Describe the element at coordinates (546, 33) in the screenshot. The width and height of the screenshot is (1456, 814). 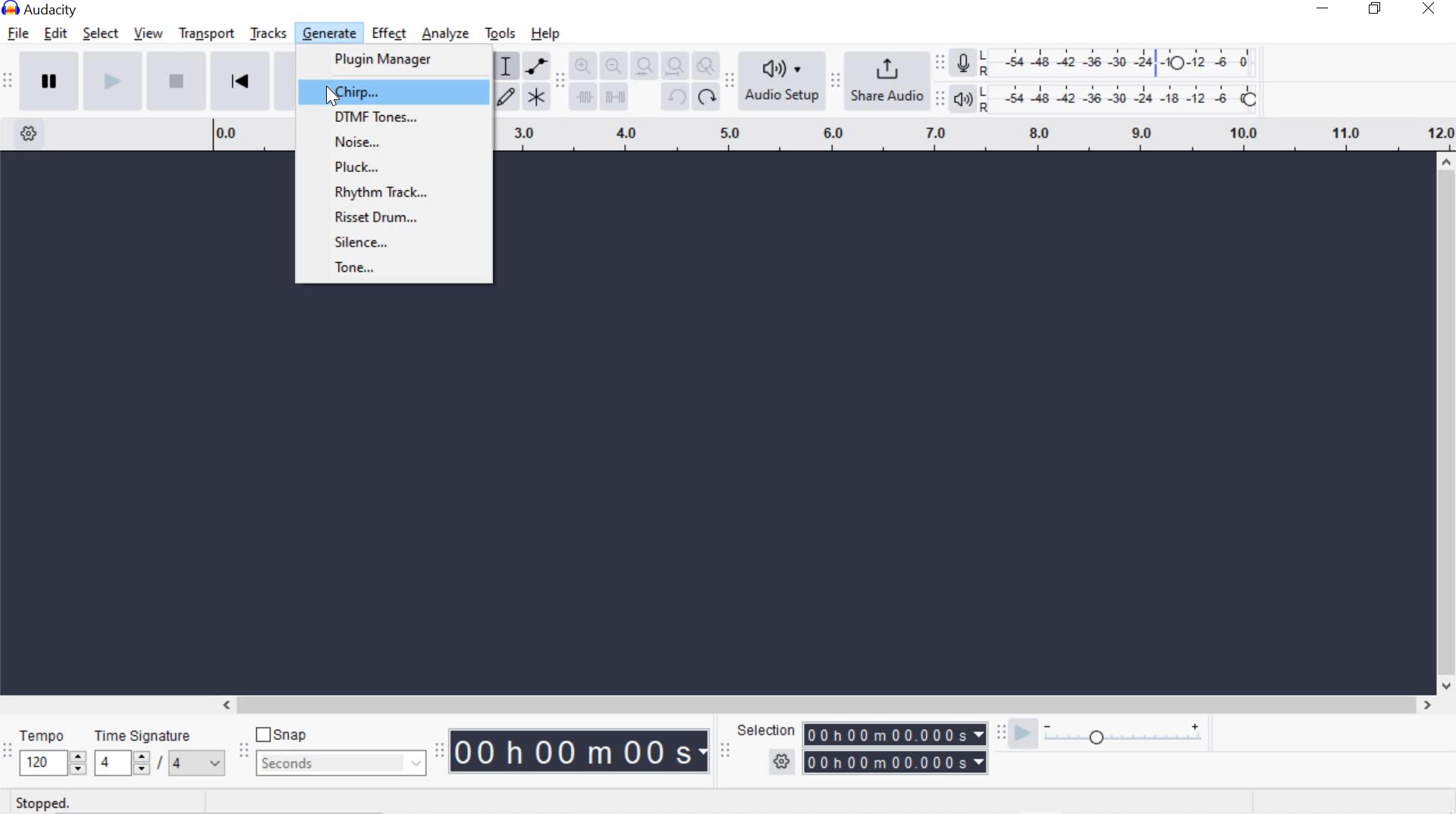
I see `help` at that location.